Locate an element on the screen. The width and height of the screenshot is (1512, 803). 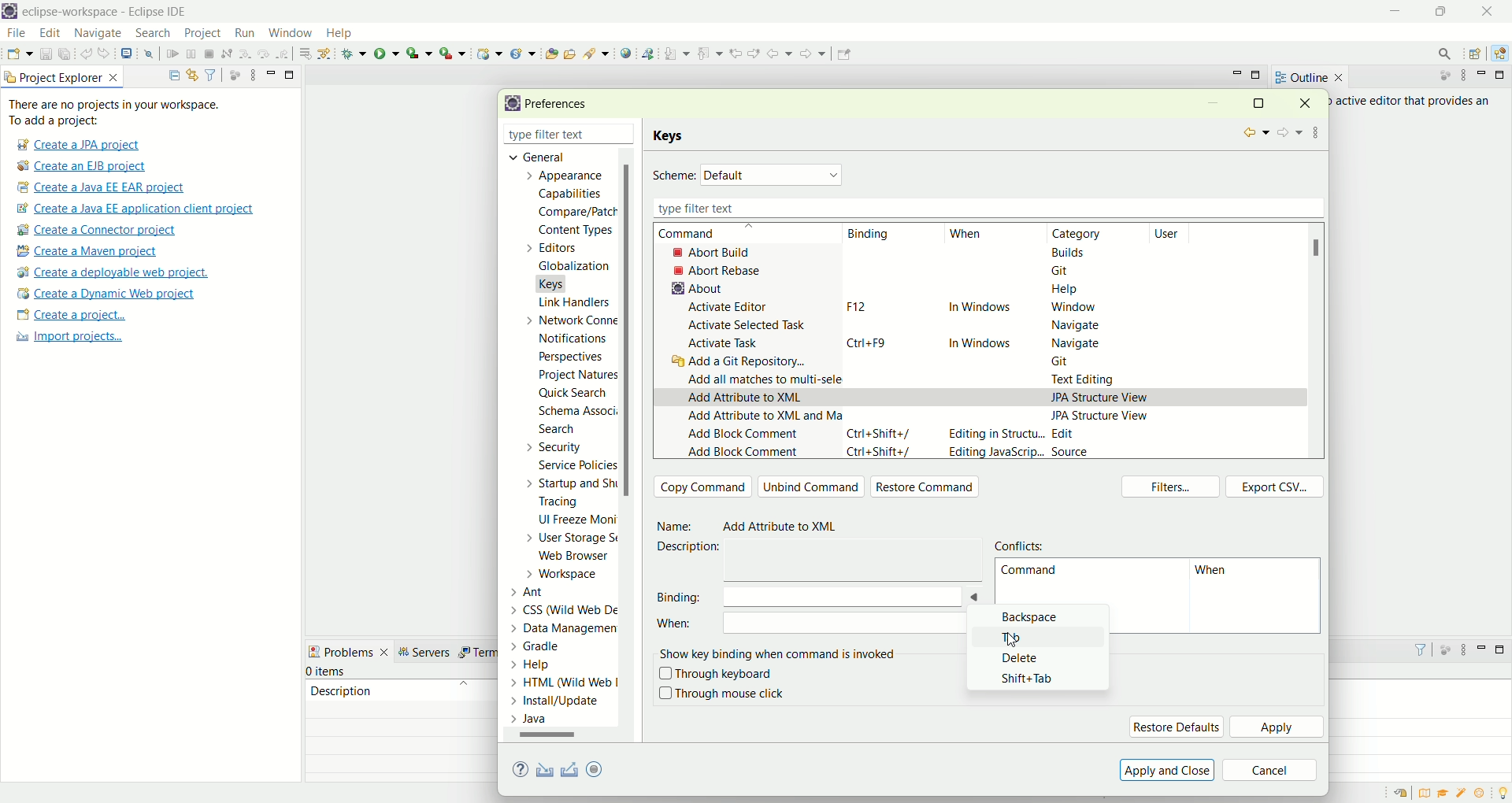
activate editor is located at coordinates (731, 307).